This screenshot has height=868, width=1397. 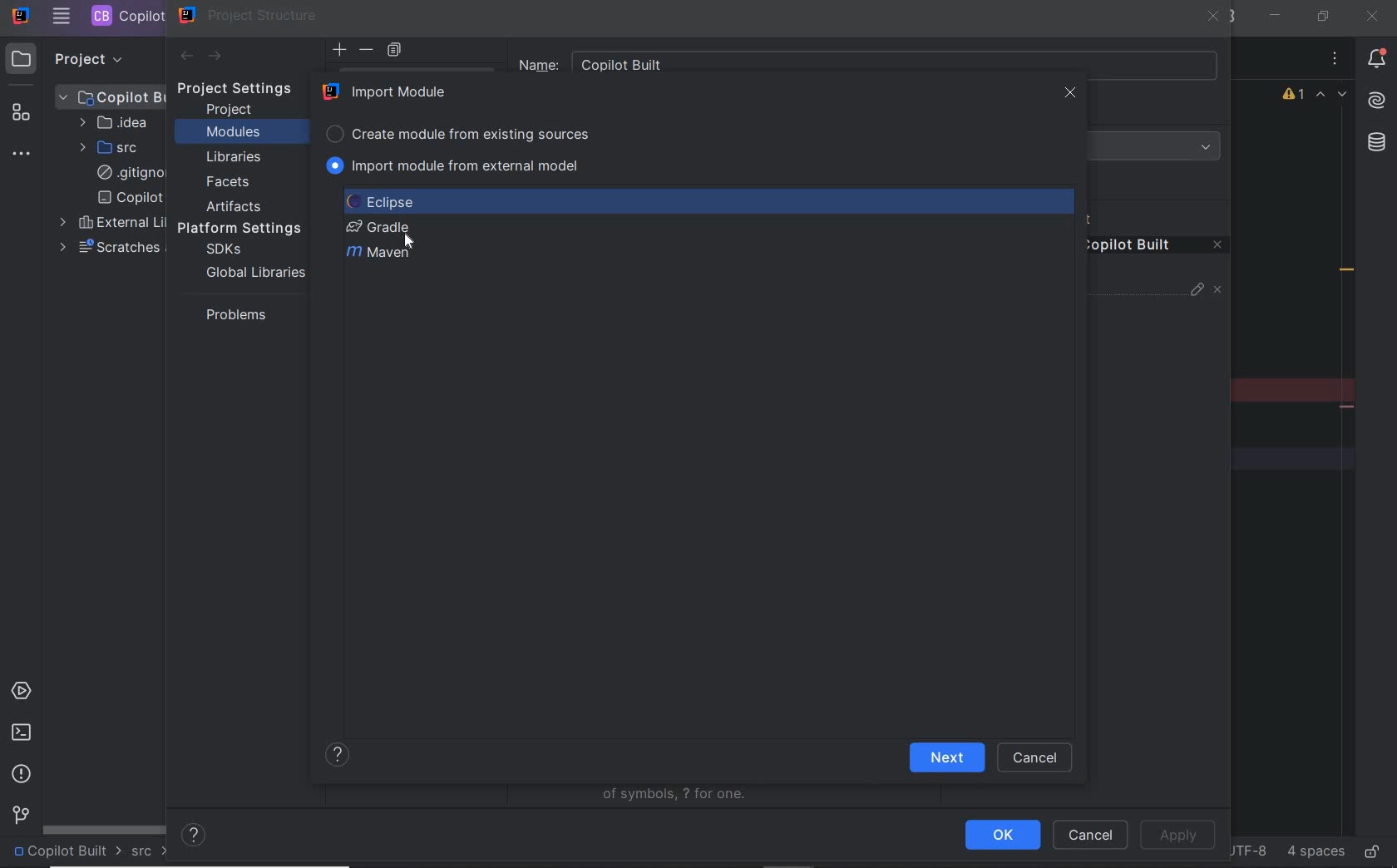 What do you see at coordinates (151, 852) in the screenshot?
I see `src` at bounding box center [151, 852].